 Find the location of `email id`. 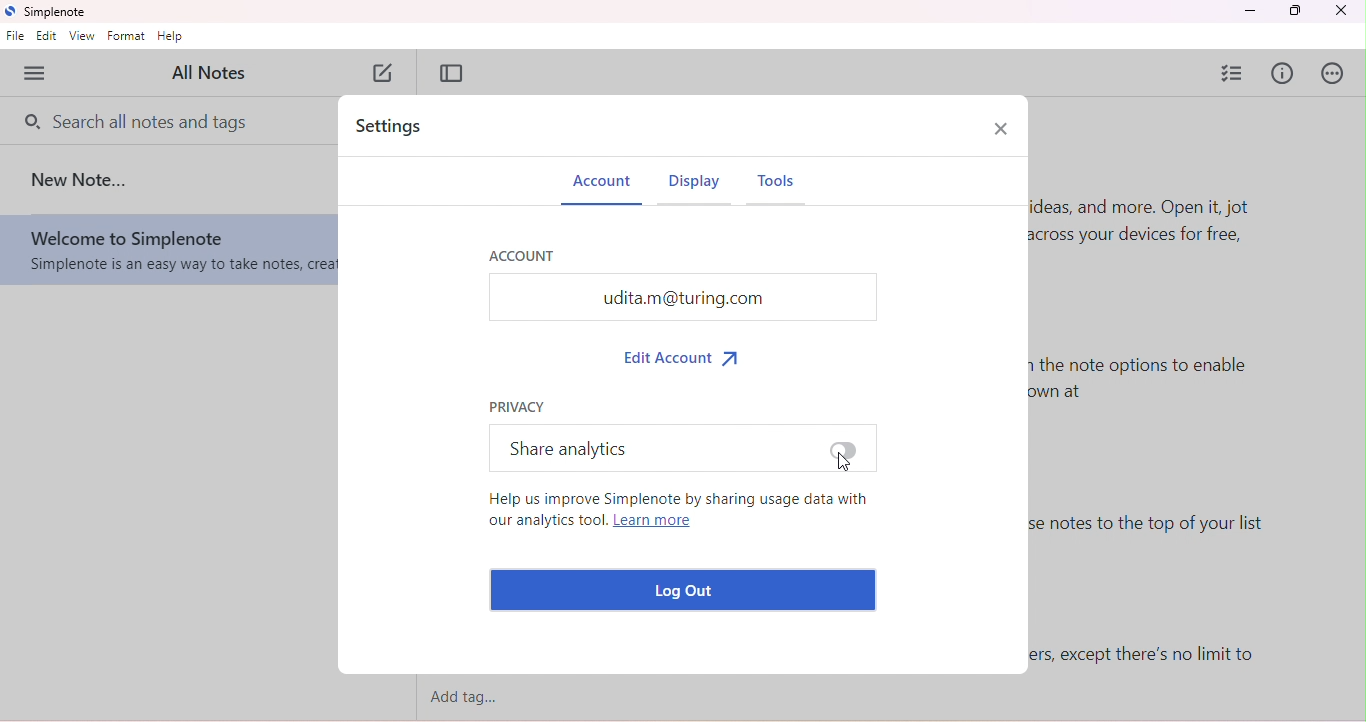

email id is located at coordinates (682, 297).